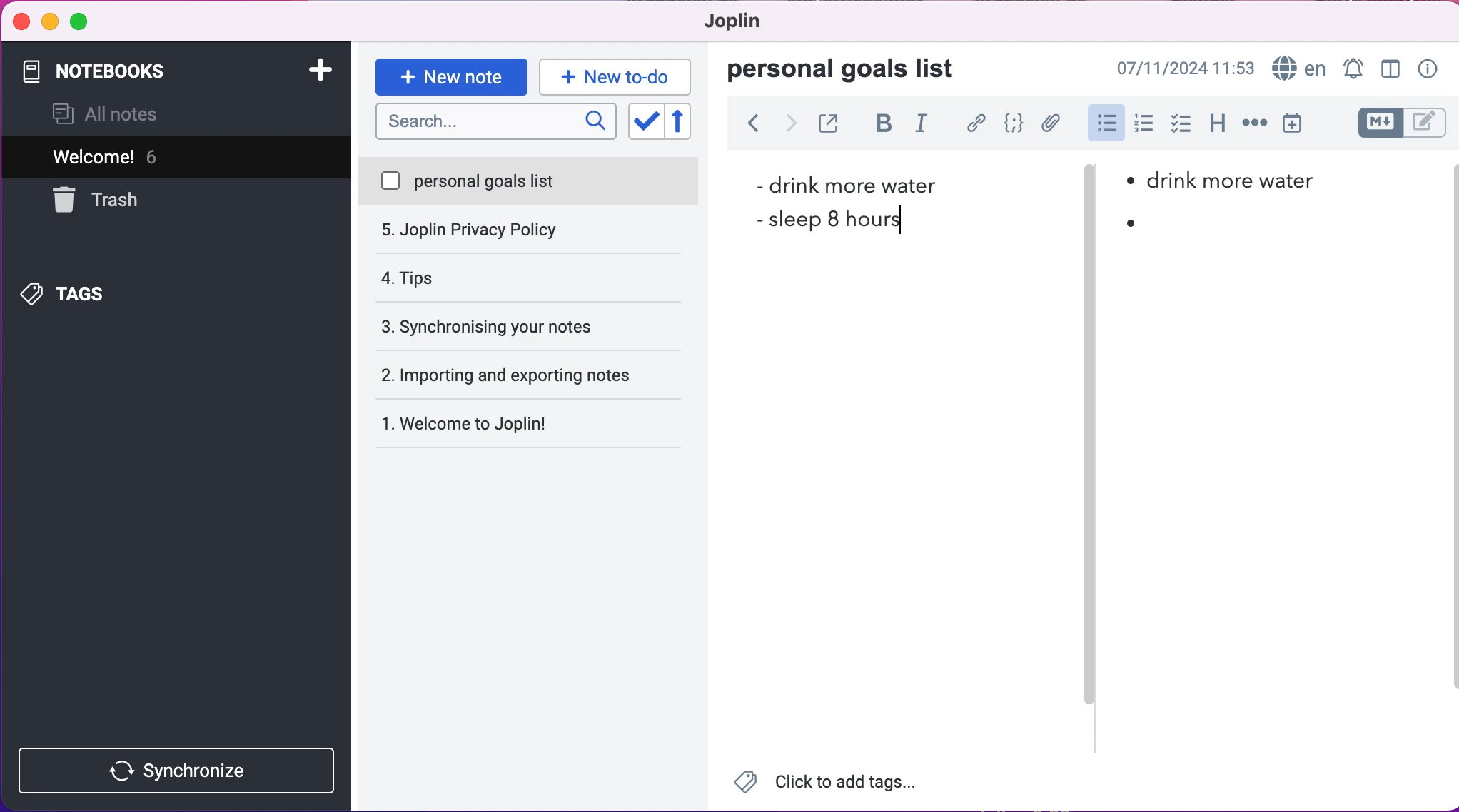  What do you see at coordinates (1089, 214) in the screenshot?
I see `vertical slider` at bounding box center [1089, 214].